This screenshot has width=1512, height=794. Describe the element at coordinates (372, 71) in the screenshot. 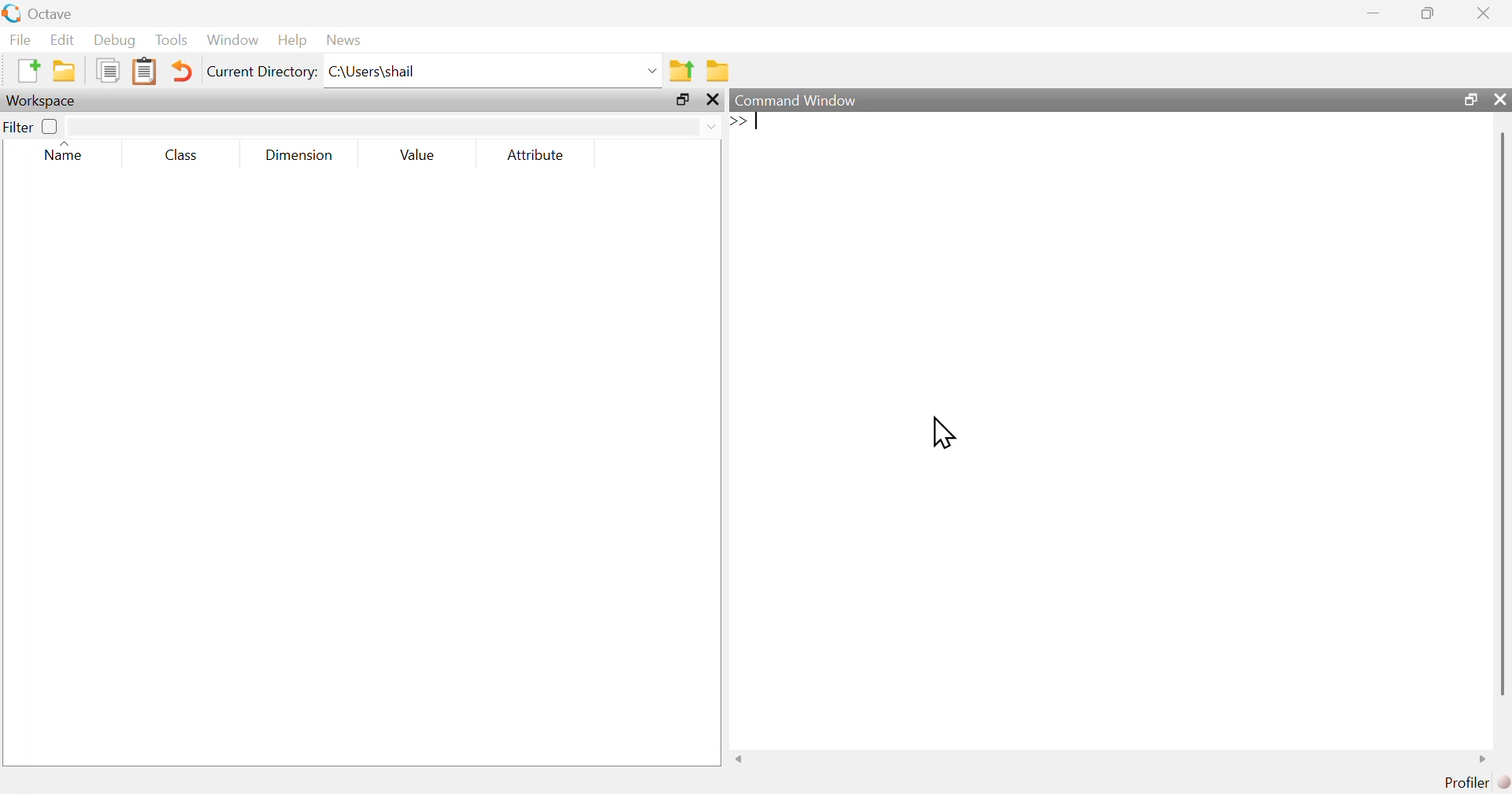

I see `C:\Users\shail` at that location.